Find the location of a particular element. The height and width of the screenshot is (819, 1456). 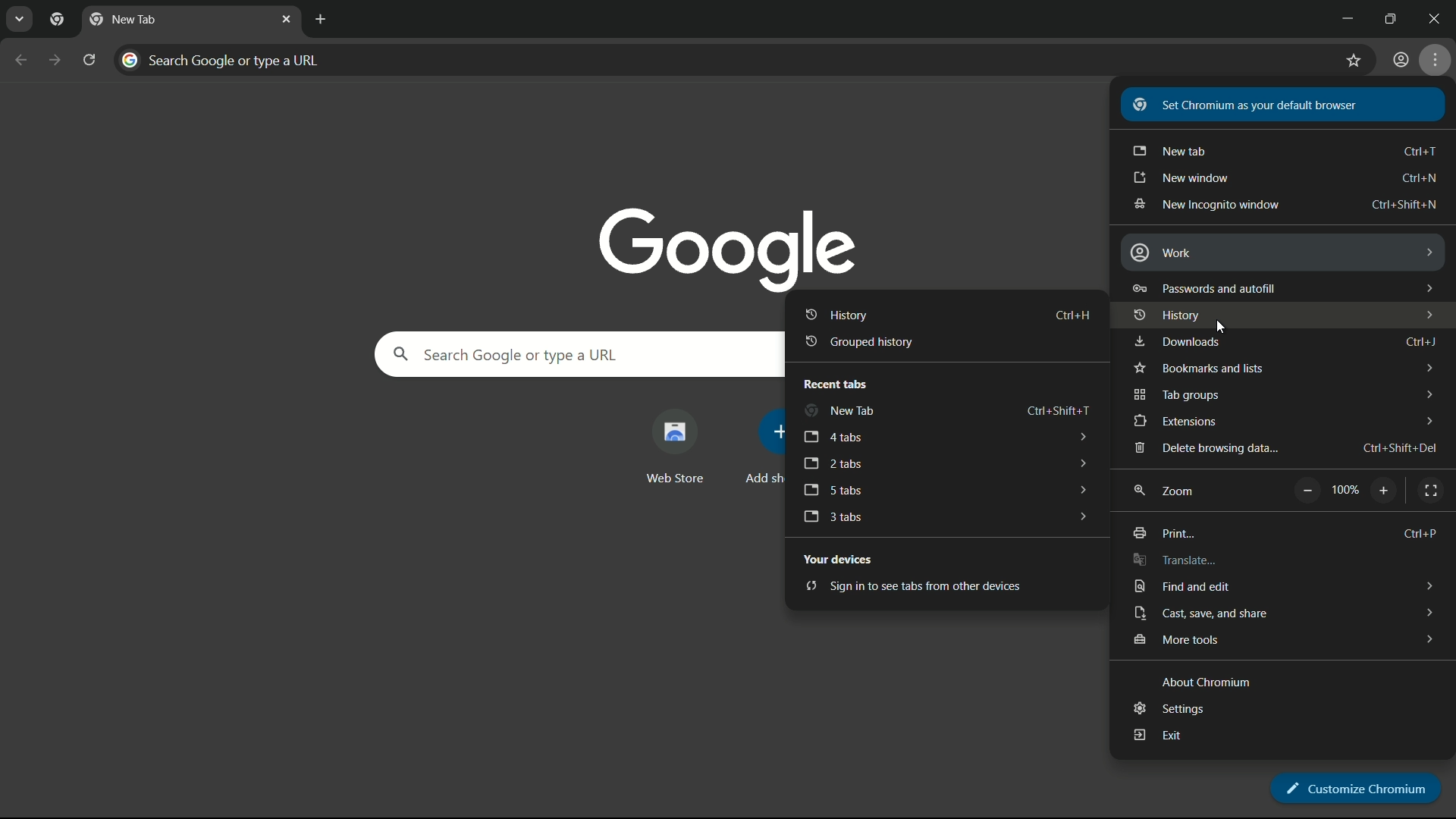

cast save and share is located at coordinates (1202, 613).